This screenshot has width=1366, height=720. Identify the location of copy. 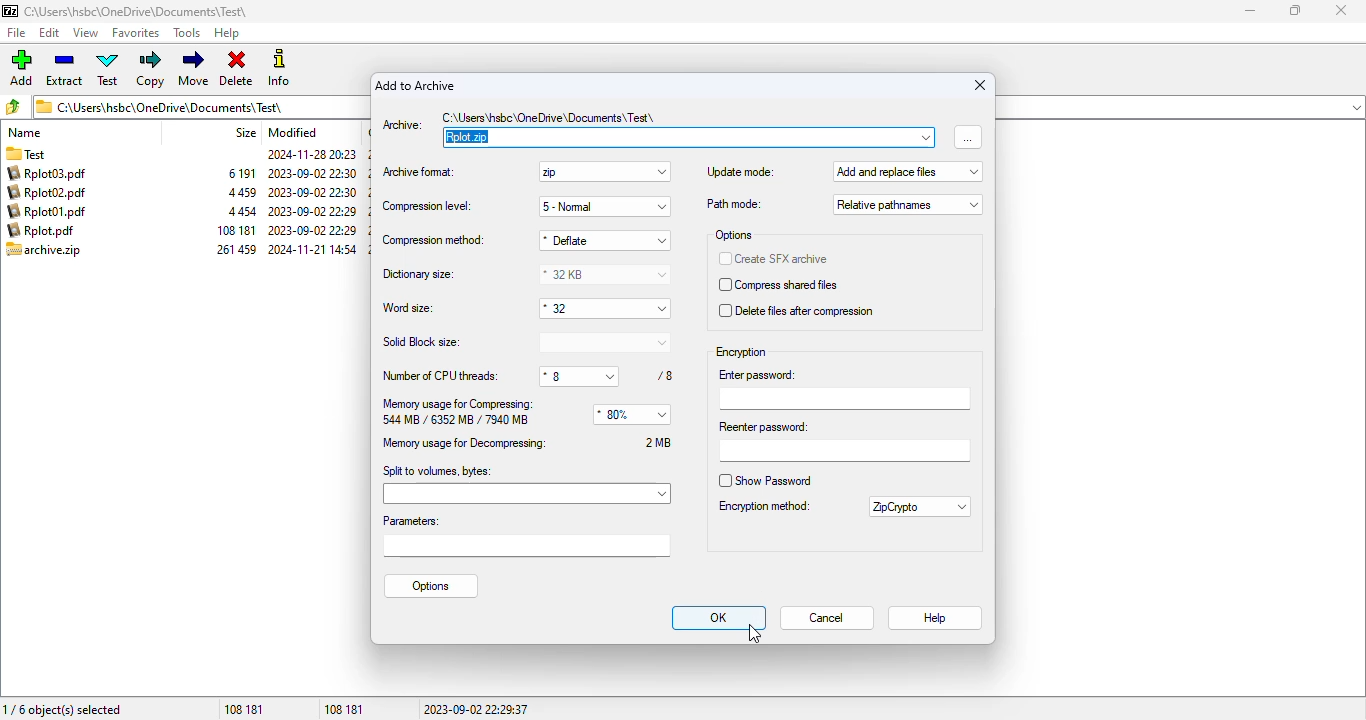
(151, 70).